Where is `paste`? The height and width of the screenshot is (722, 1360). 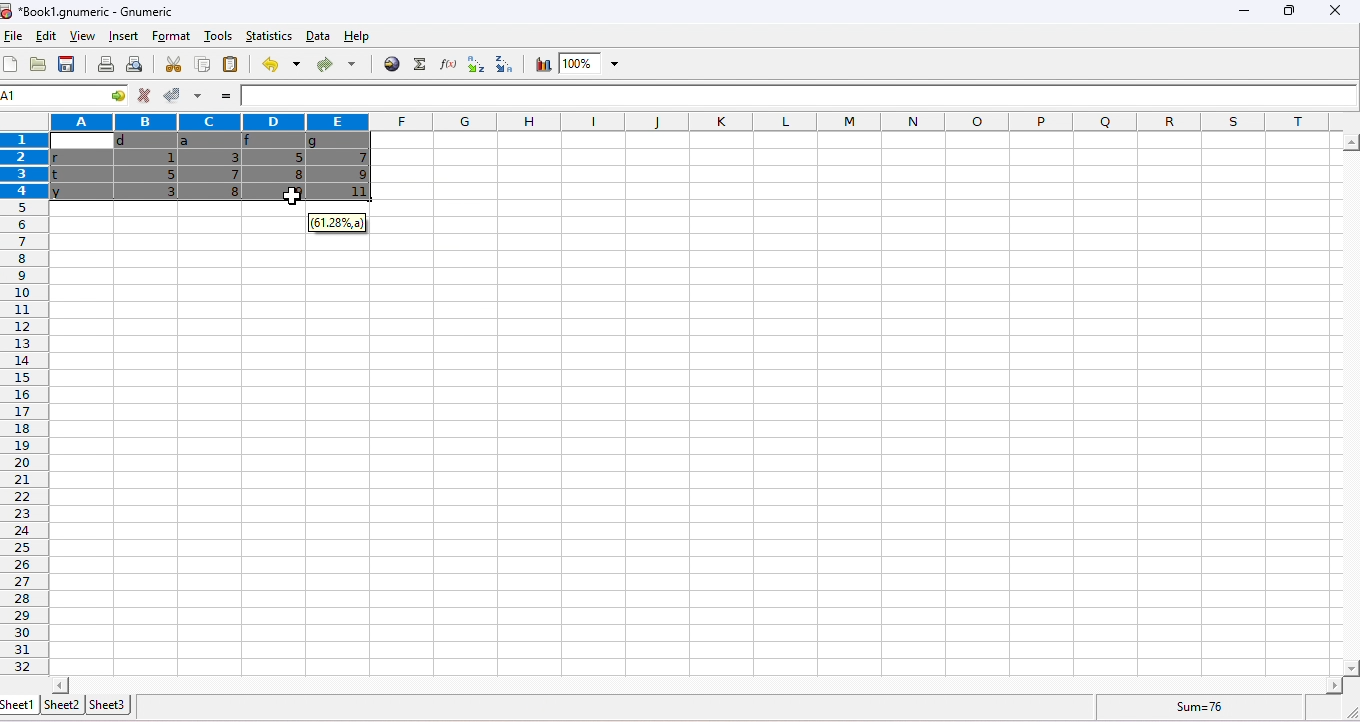
paste is located at coordinates (232, 66).